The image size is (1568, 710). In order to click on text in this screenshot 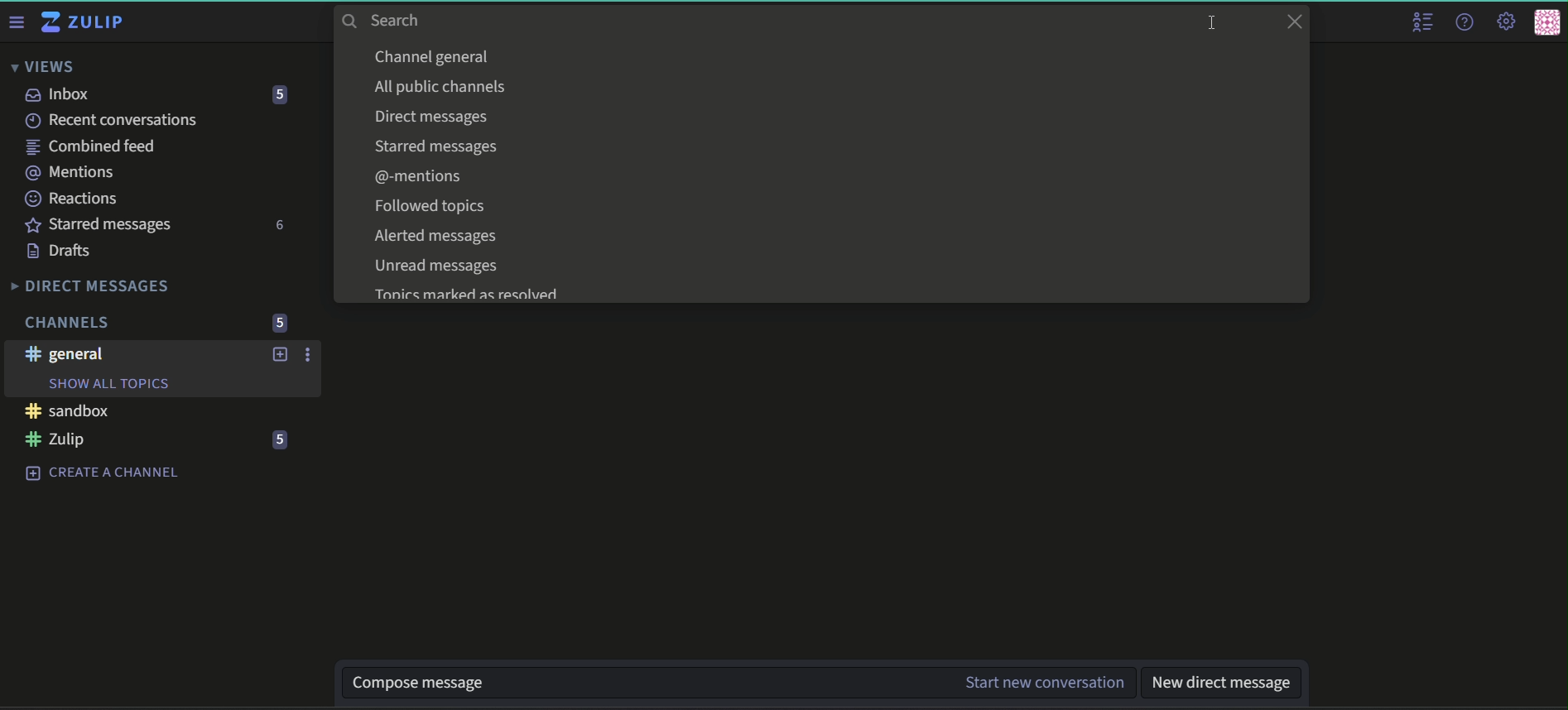, I will do `click(441, 87)`.